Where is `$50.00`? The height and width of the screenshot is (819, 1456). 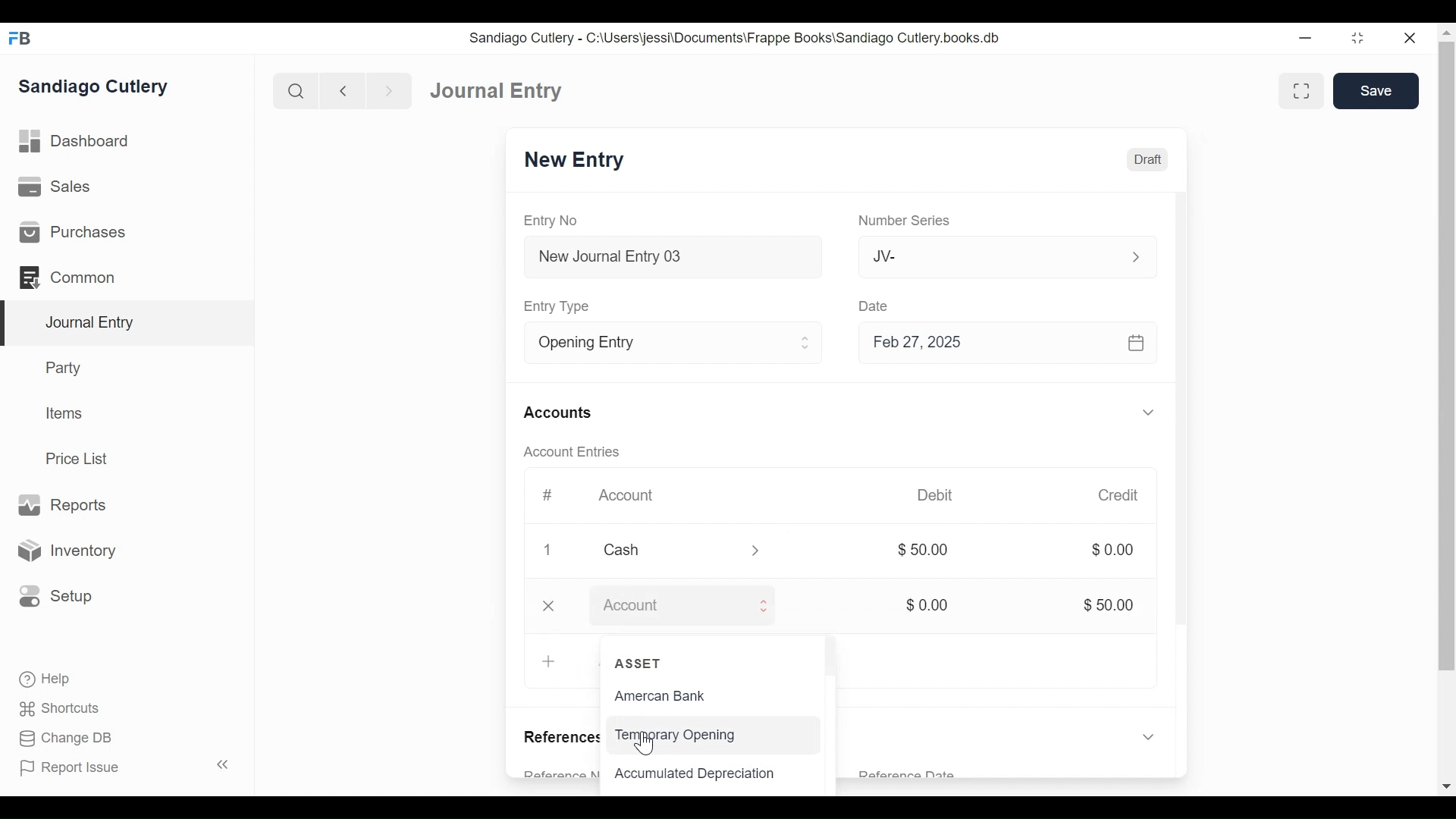 $50.00 is located at coordinates (1111, 605).